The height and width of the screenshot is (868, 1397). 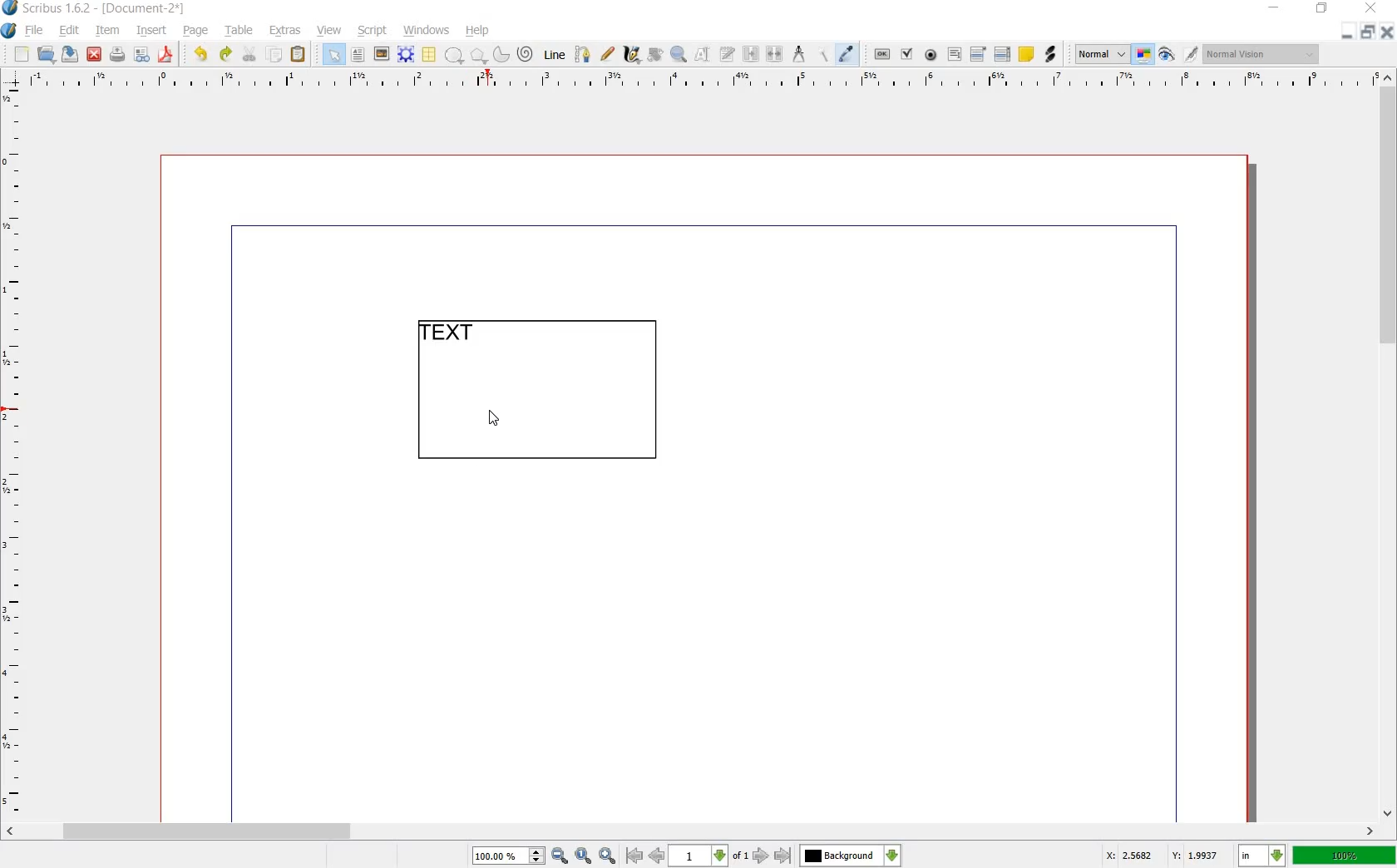 I want to click on in, so click(x=1263, y=856).